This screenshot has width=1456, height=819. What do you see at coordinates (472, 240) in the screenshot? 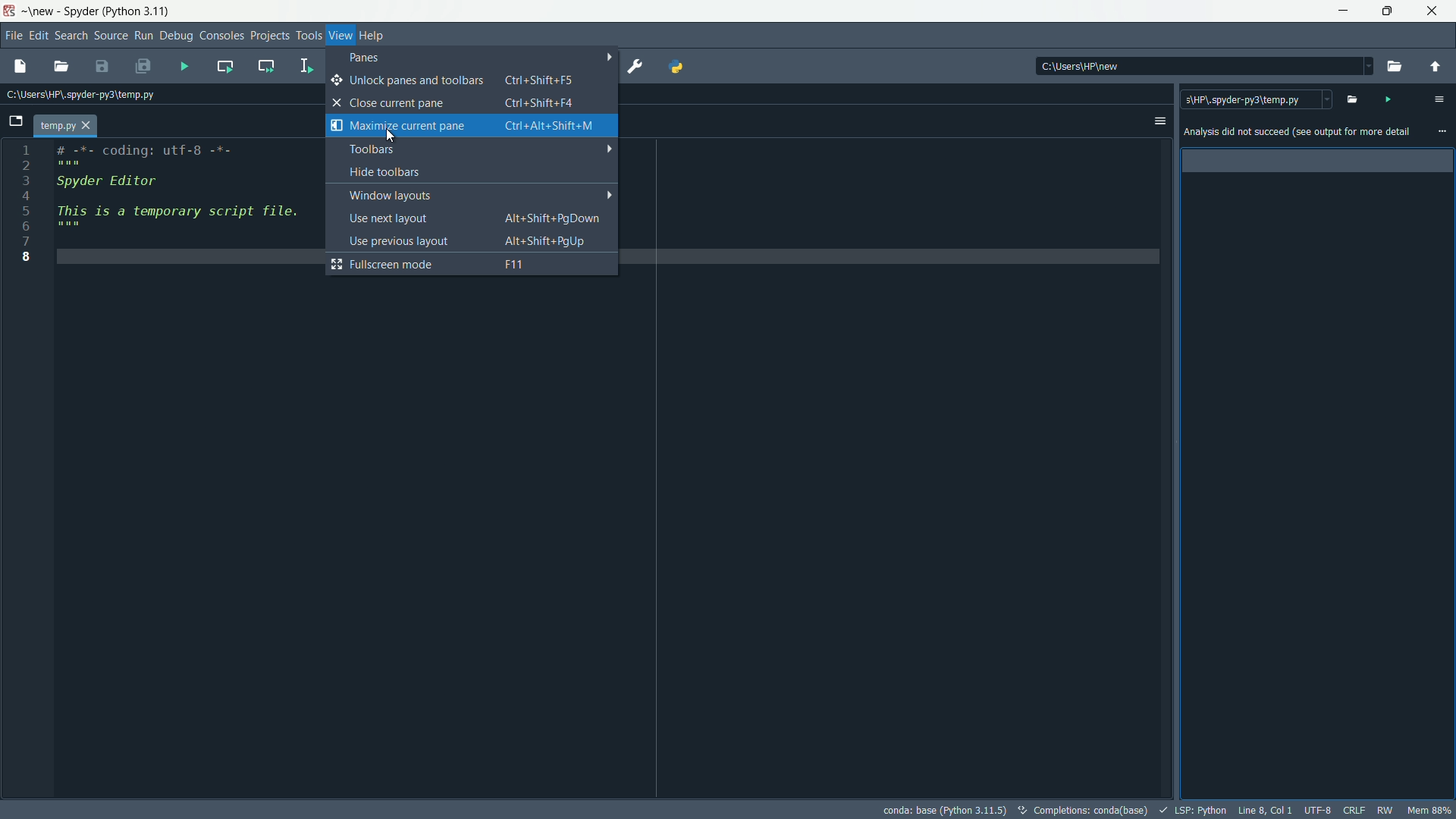
I see `use previous layout` at bounding box center [472, 240].